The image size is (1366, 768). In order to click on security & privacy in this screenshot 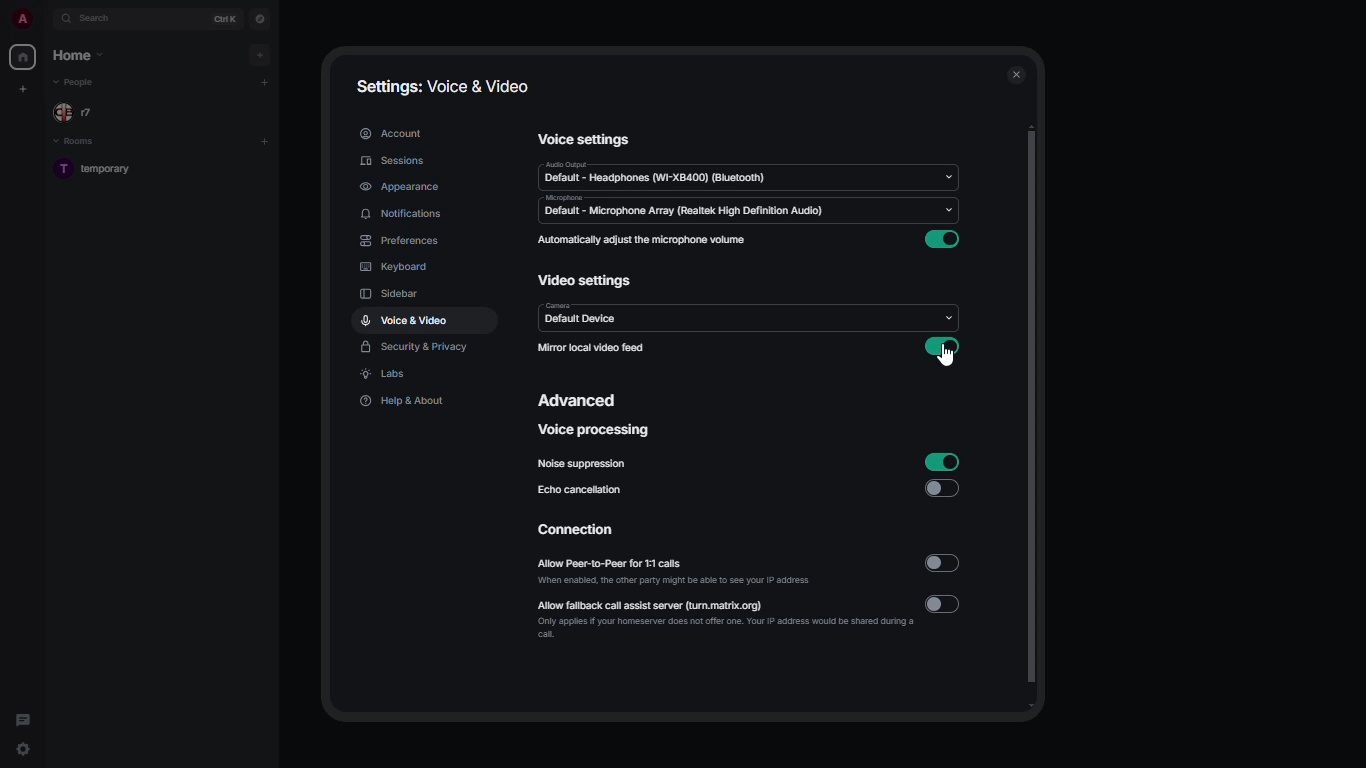, I will do `click(415, 349)`.